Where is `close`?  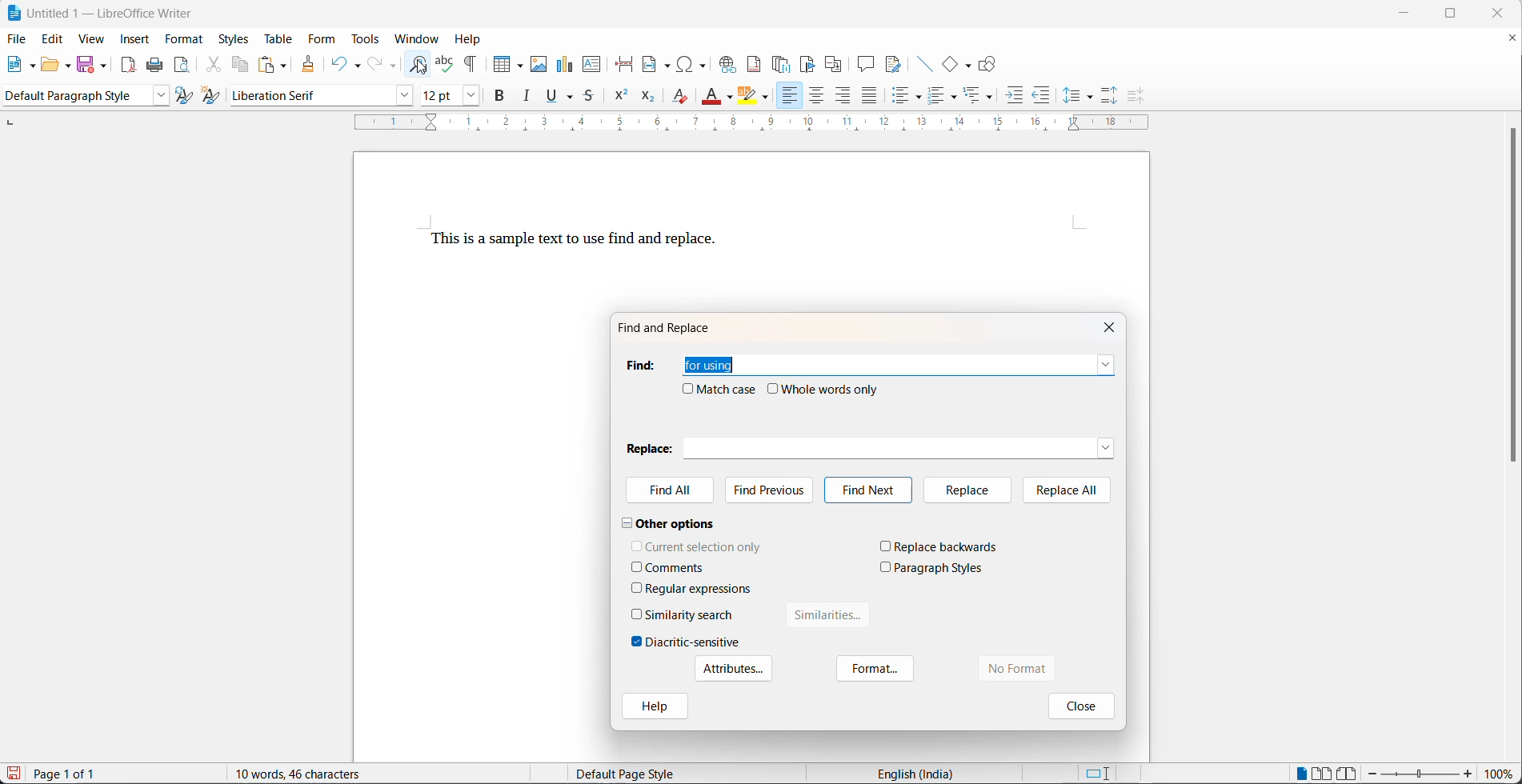 close is located at coordinates (1079, 705).